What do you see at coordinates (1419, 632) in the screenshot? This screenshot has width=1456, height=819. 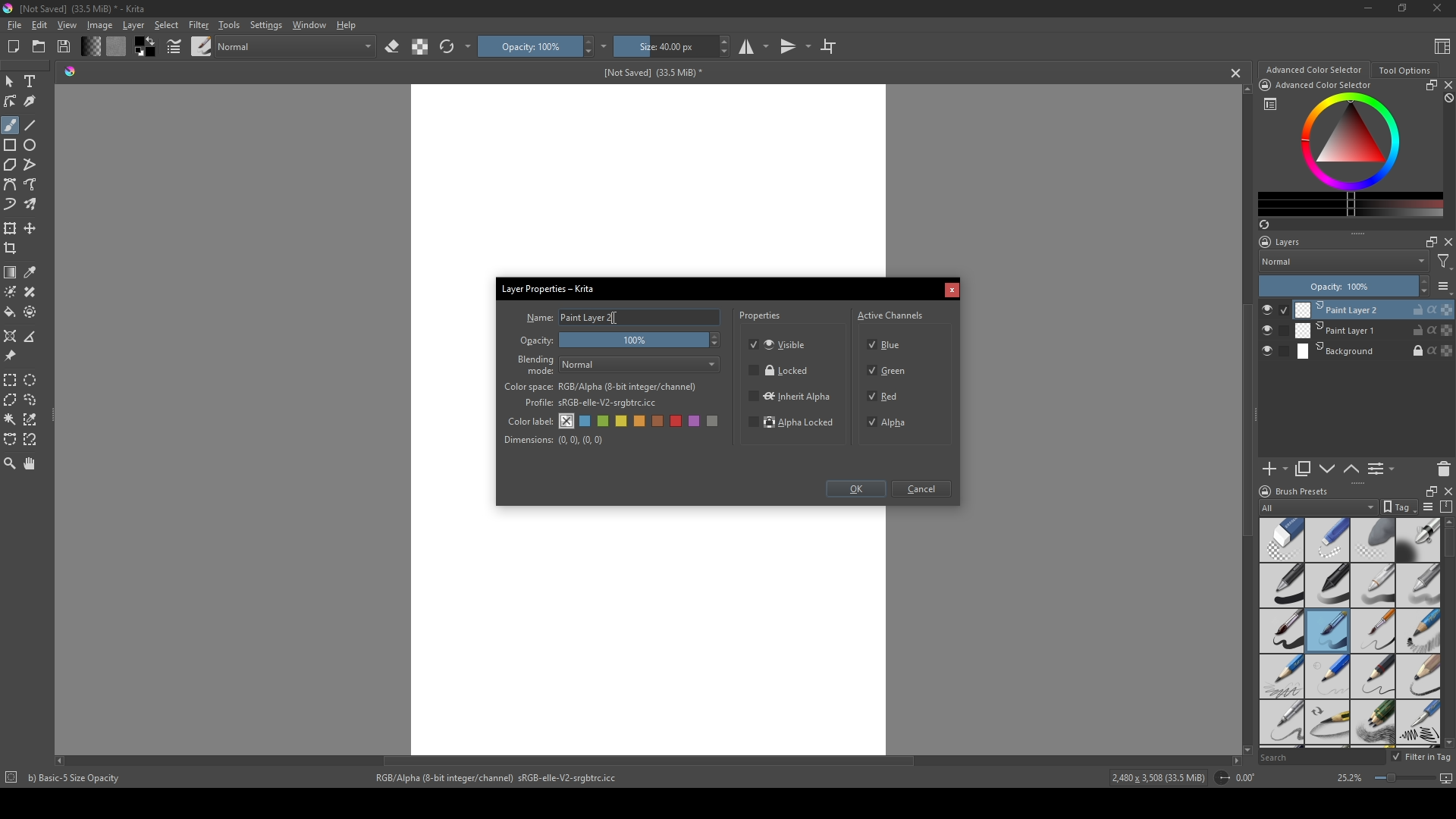 I see `pencil` at bounding box center [1419, 632].